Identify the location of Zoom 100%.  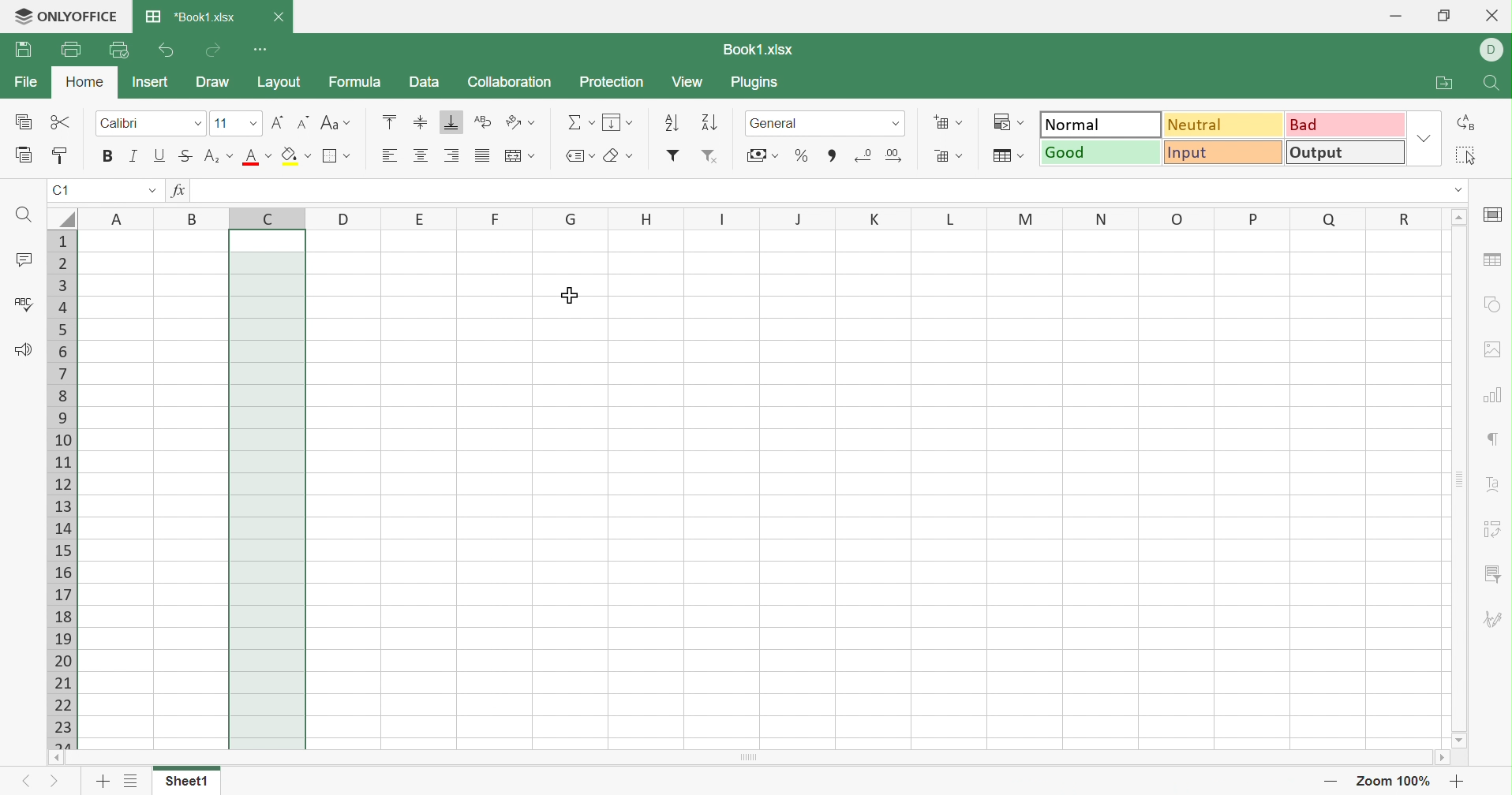
(1393, 782).